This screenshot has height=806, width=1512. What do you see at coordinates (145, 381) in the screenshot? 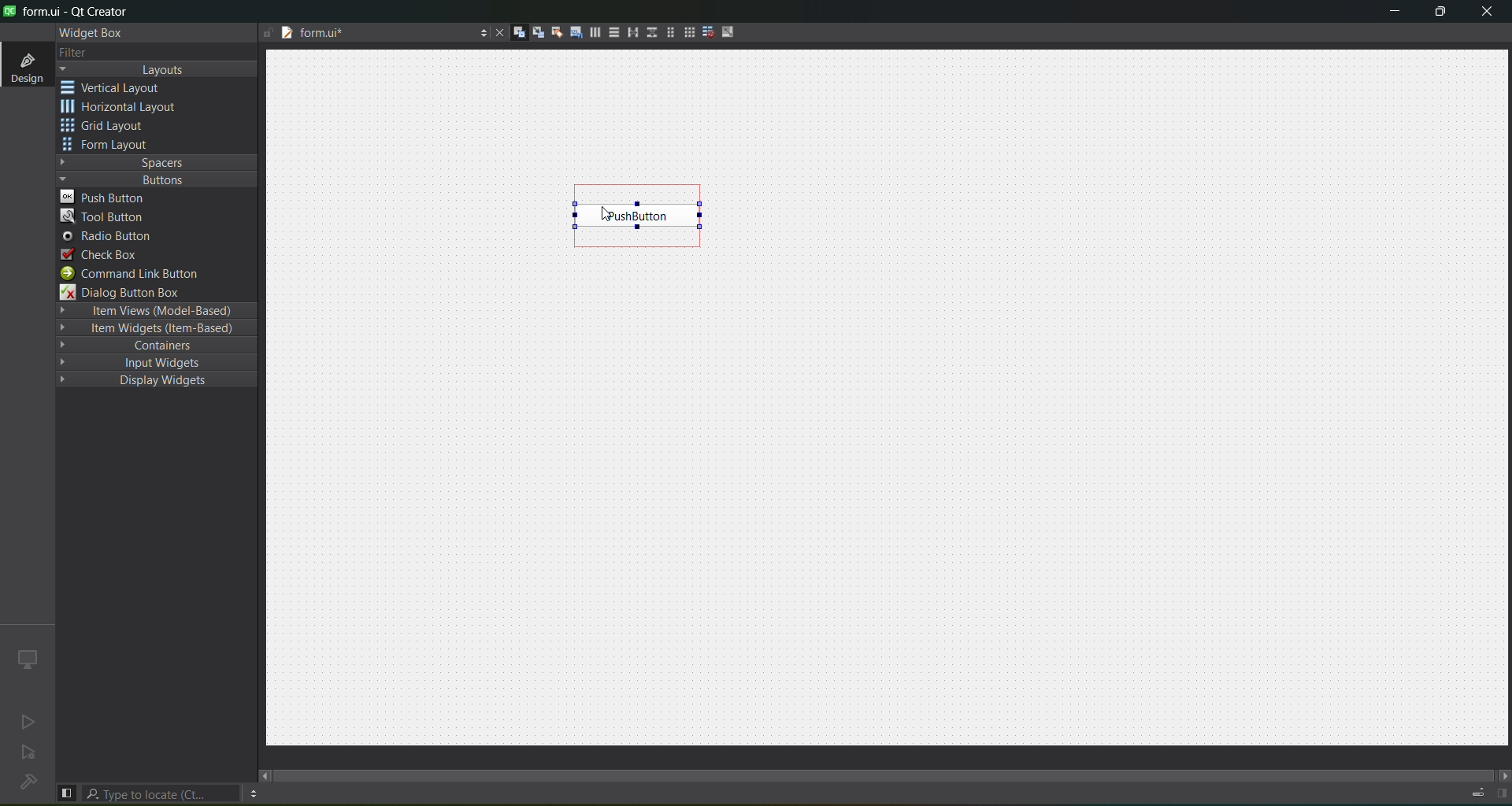
I see `display widgets` at bounding box center [145, 381].